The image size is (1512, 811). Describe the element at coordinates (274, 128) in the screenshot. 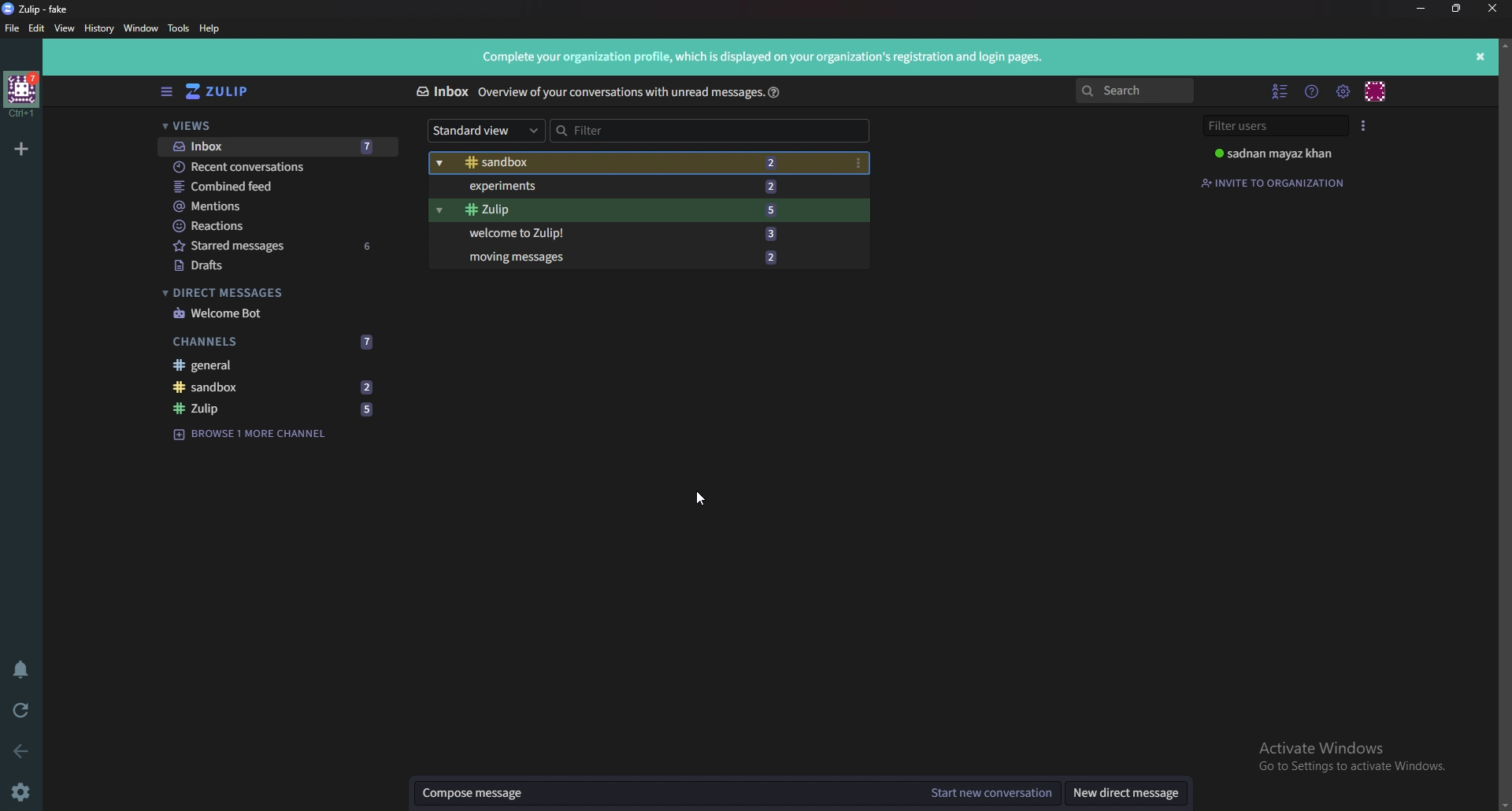

I see `Views` at that location.